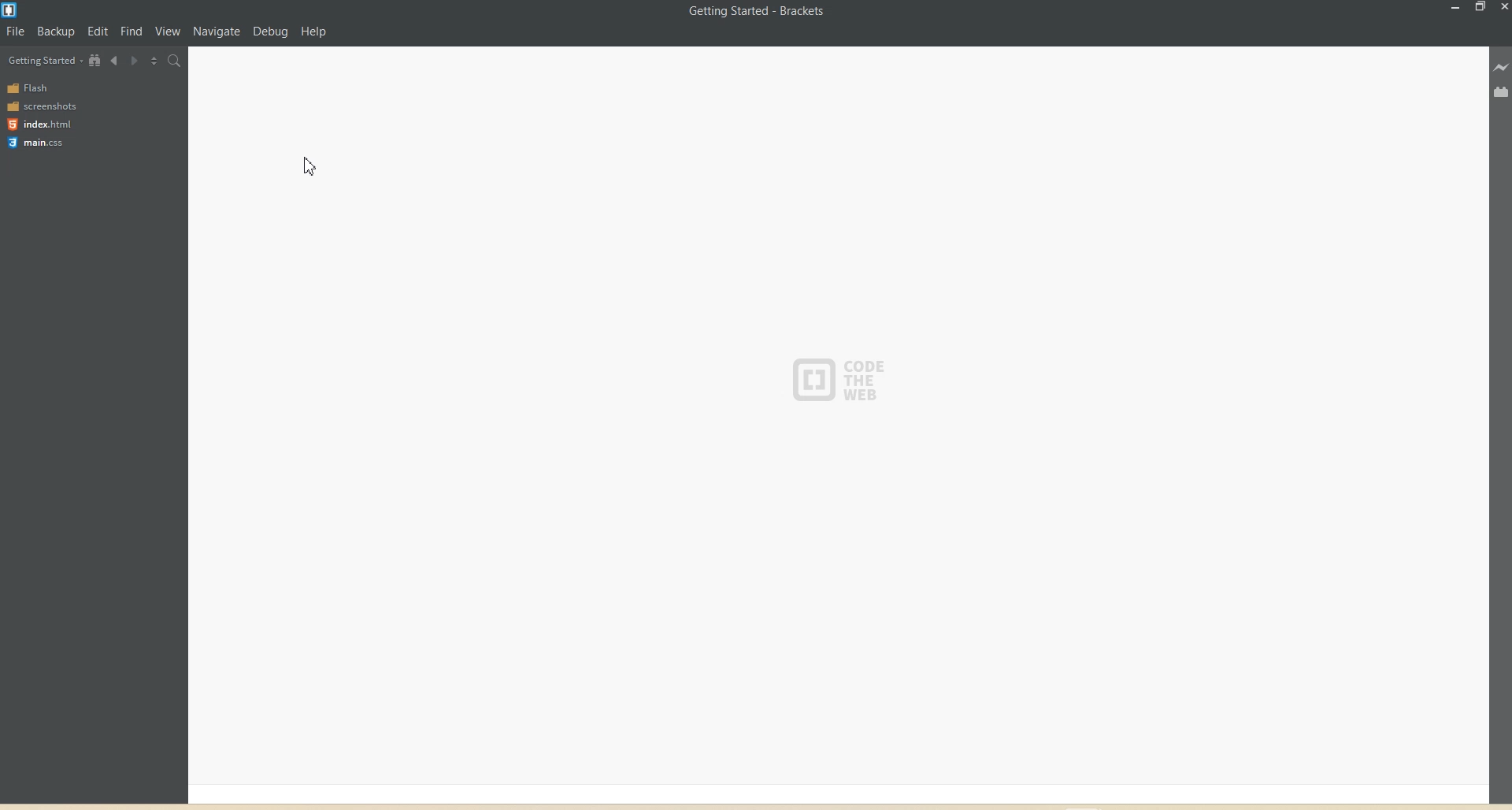 This screenshot has height=810, width=1512. What do you see at coordinates (115, 59) in the screenshot?
I see `Navigate Backwards` at bounding box center [115, 59].